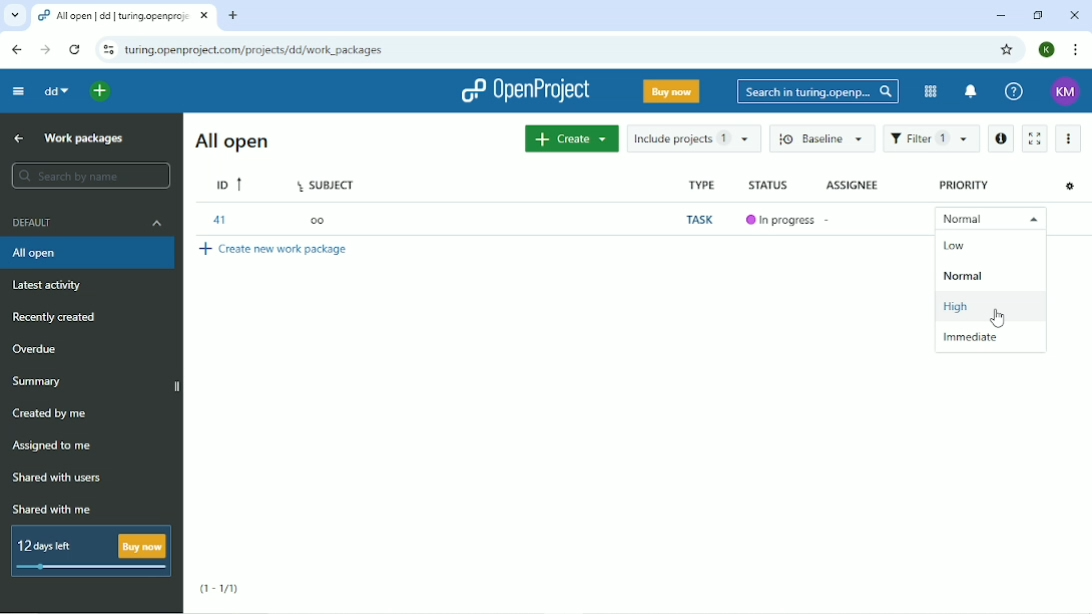 The image size is (1092, 614). Describe the element at coordinates (815, 90) in the screenshot. I see `Search` at that location.